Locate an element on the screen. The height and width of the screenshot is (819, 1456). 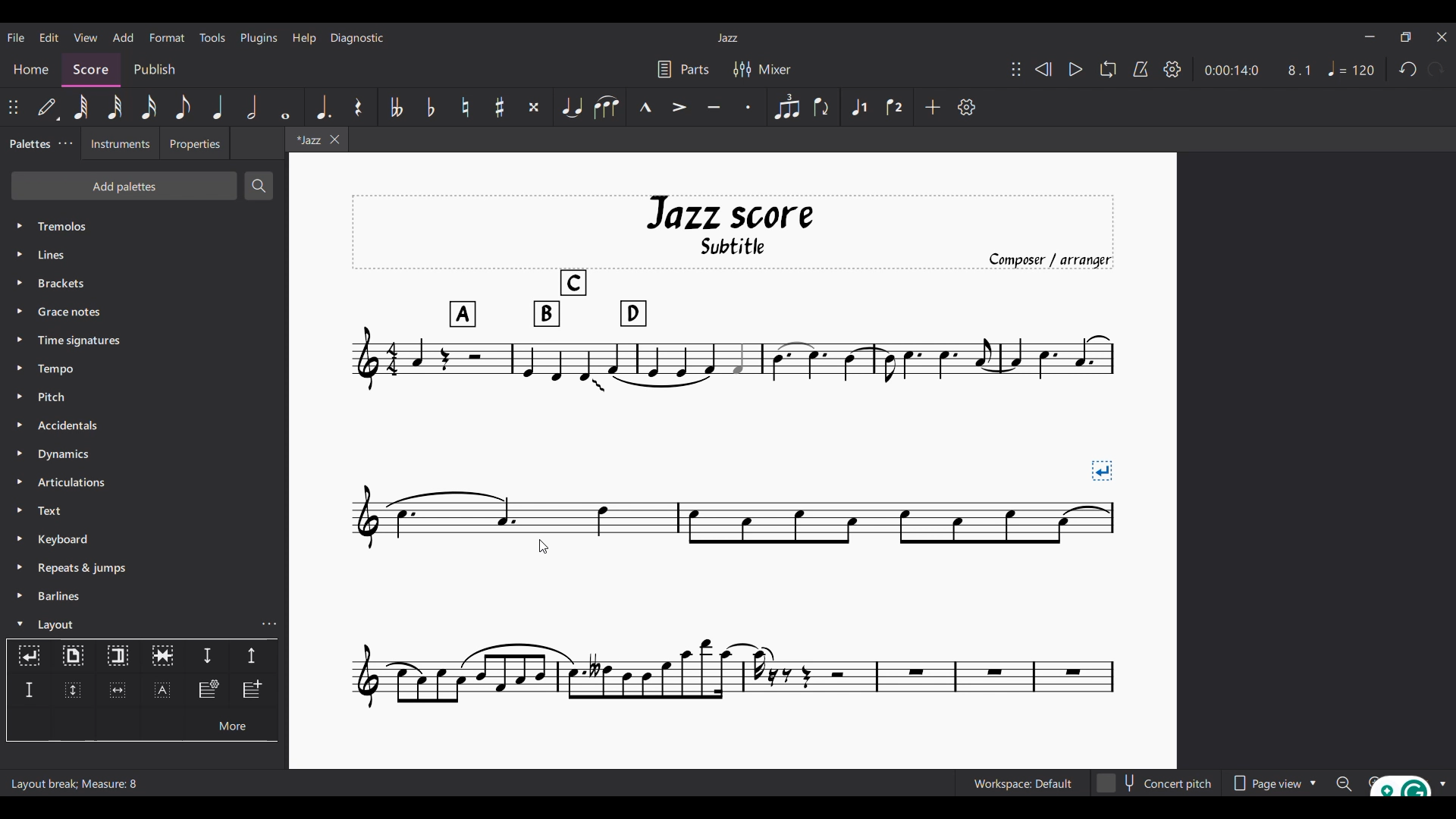
Quarter note is located at coordinates (218, 107).